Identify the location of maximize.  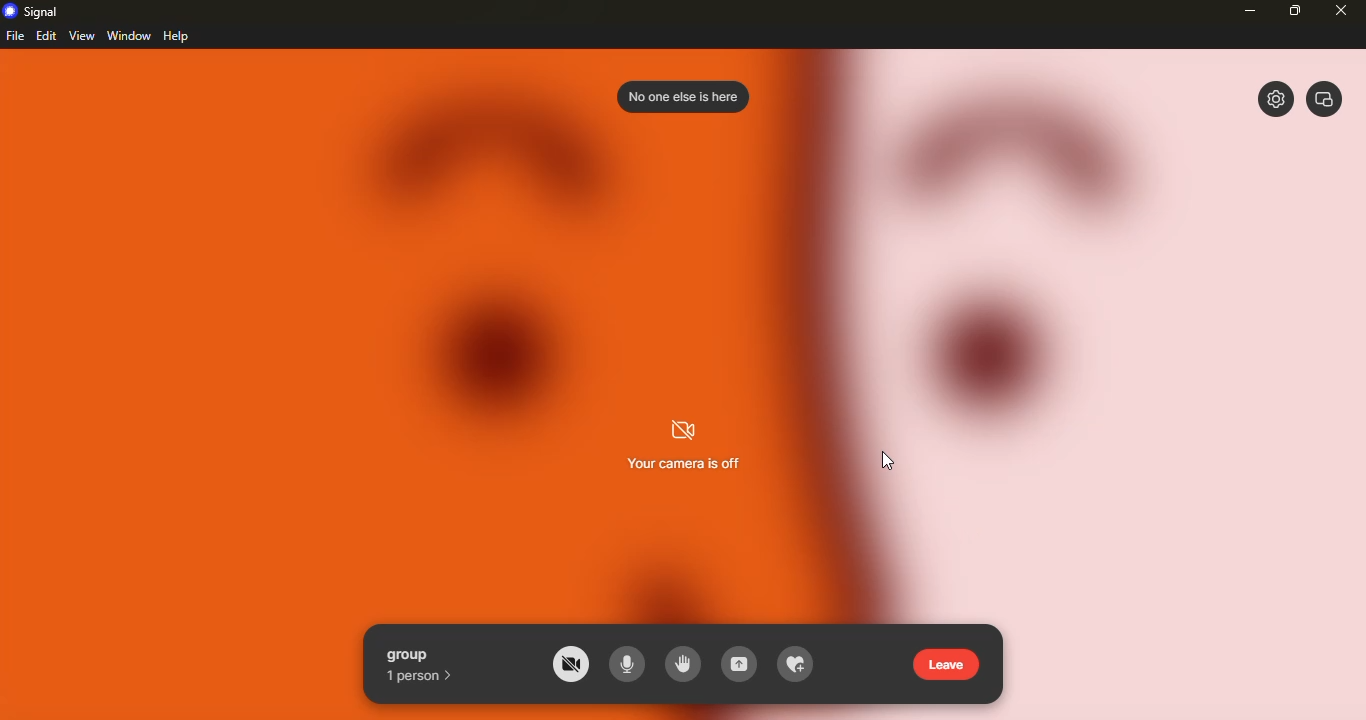
(1294, 9).